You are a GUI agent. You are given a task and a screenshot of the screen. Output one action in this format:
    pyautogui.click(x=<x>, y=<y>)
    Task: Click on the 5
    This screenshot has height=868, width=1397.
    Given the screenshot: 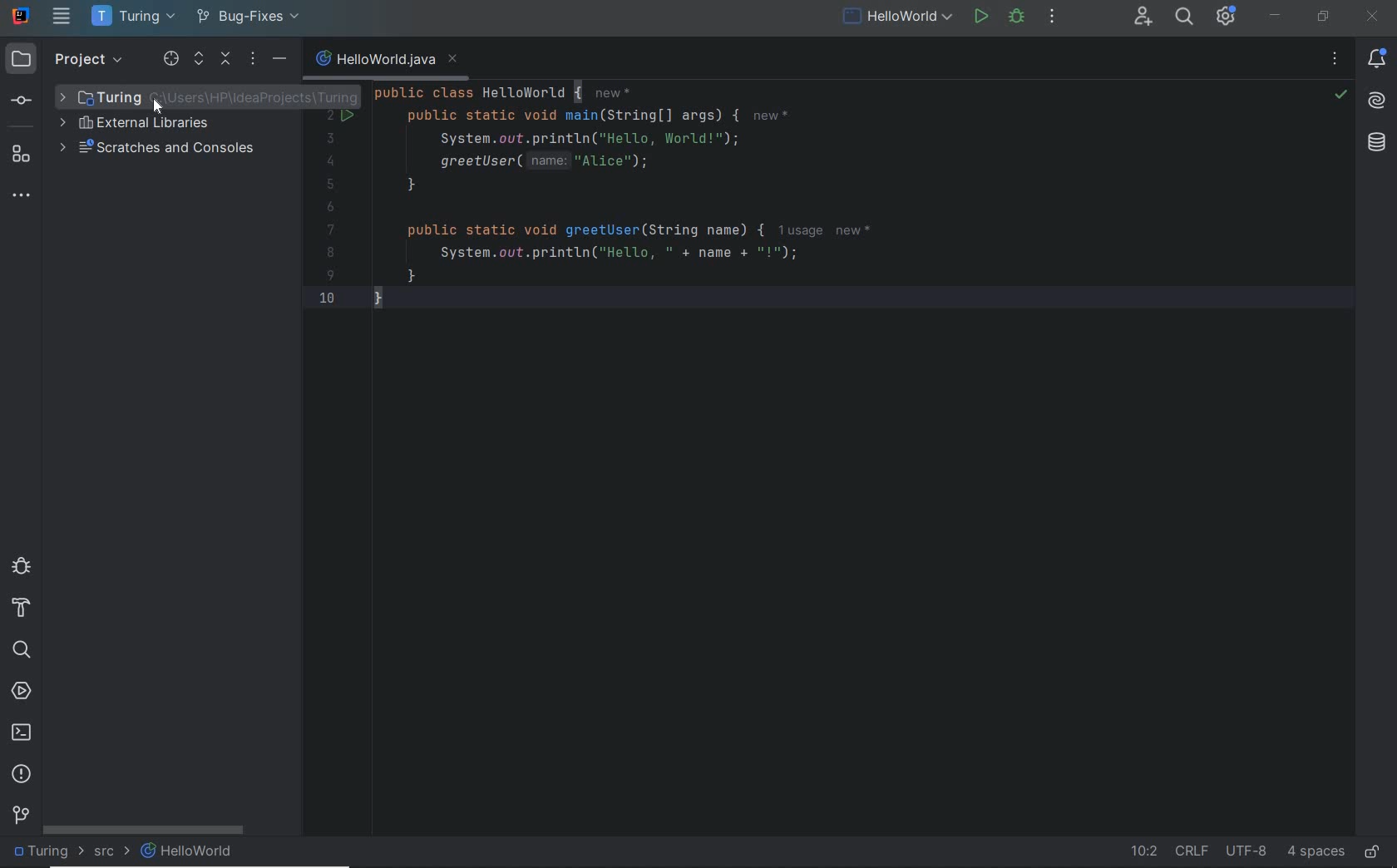 What is the action you would take?
    pyautogui.click(x=330, y=184)
    